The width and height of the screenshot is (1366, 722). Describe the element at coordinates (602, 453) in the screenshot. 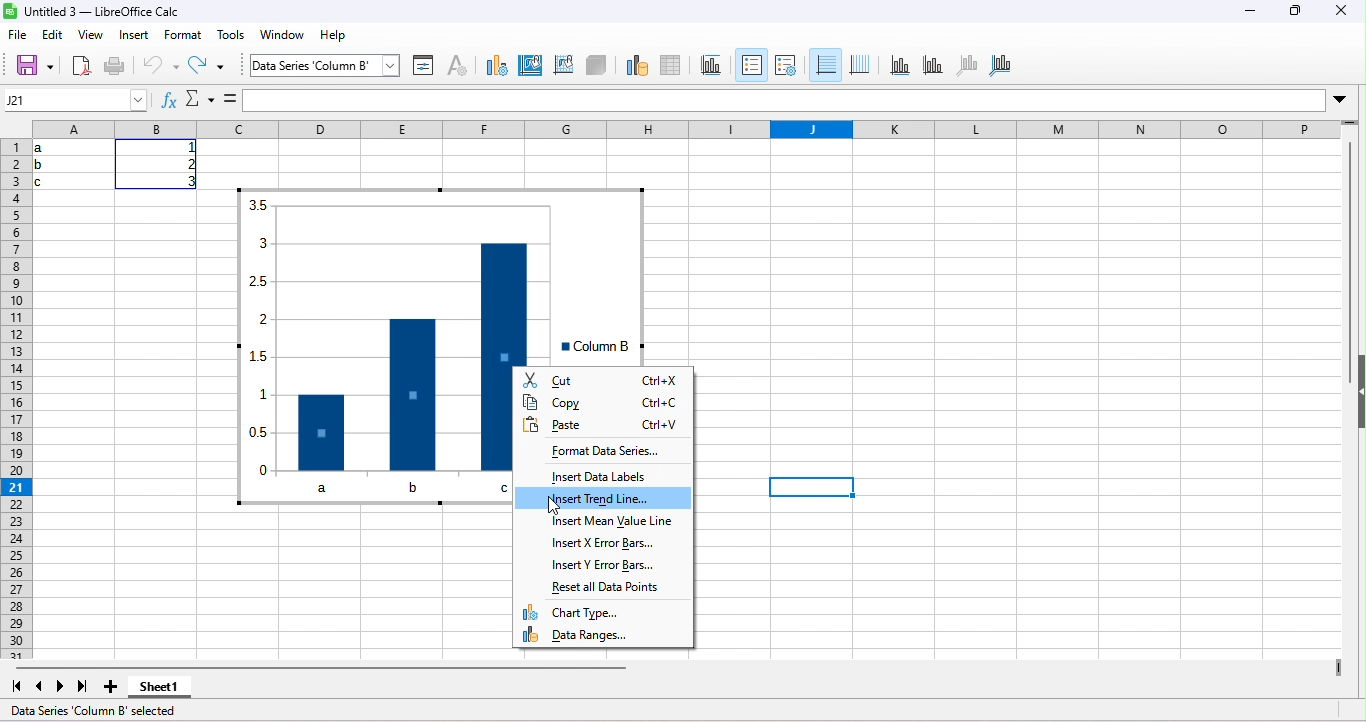

I see `format data series` at that location.